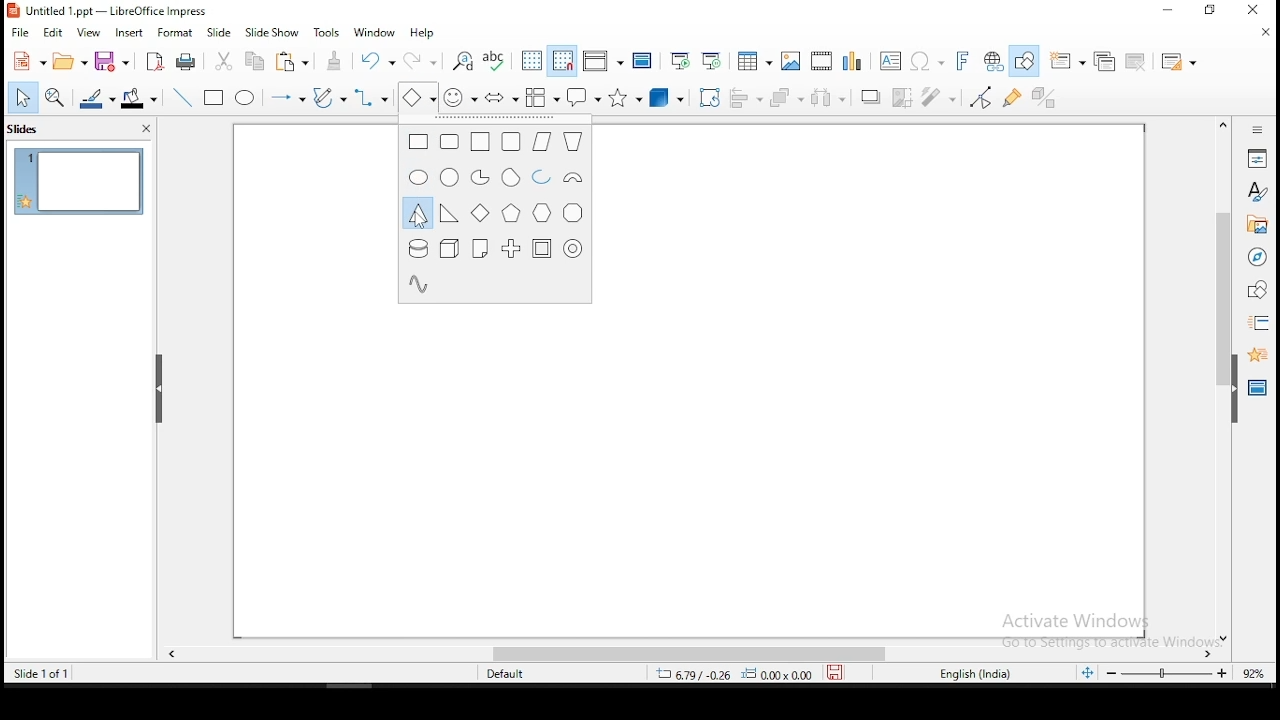 The width and height of the screenshot is (1280, 720). I want to click on display views, so click(601, 62).